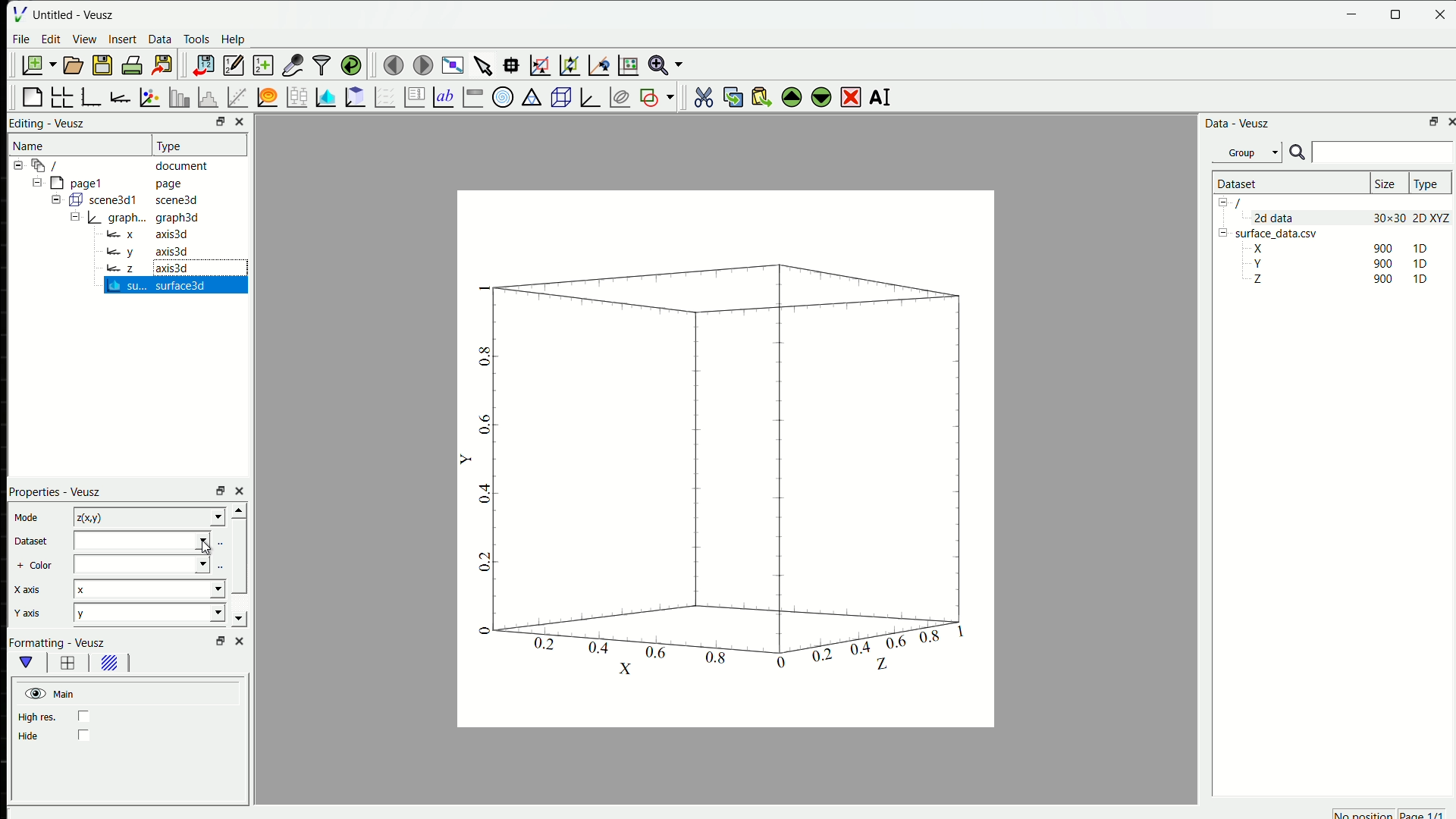 This screenshot has height=819, width=1456. Describe the element at coordinates (57, 493) in the screenshot. I see `Properties - Veusz` at that location.